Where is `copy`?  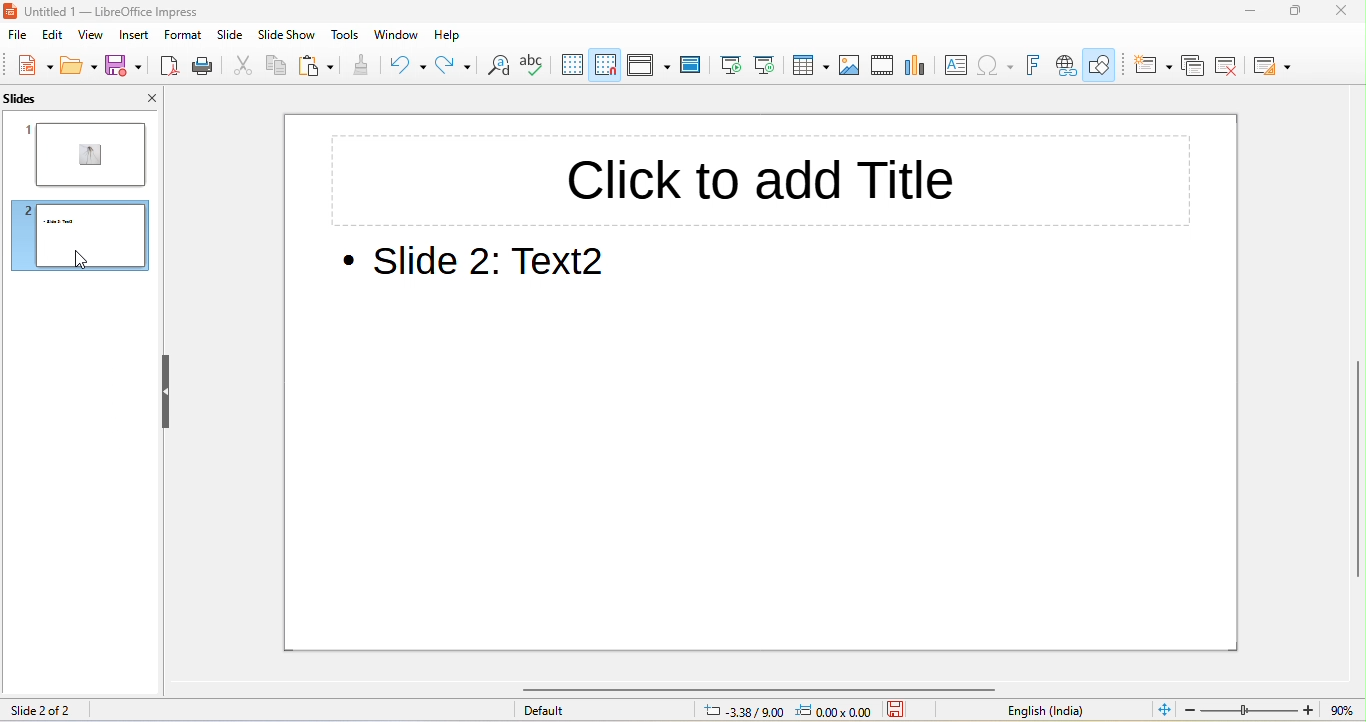
copy is located at coordinates (278, 65).